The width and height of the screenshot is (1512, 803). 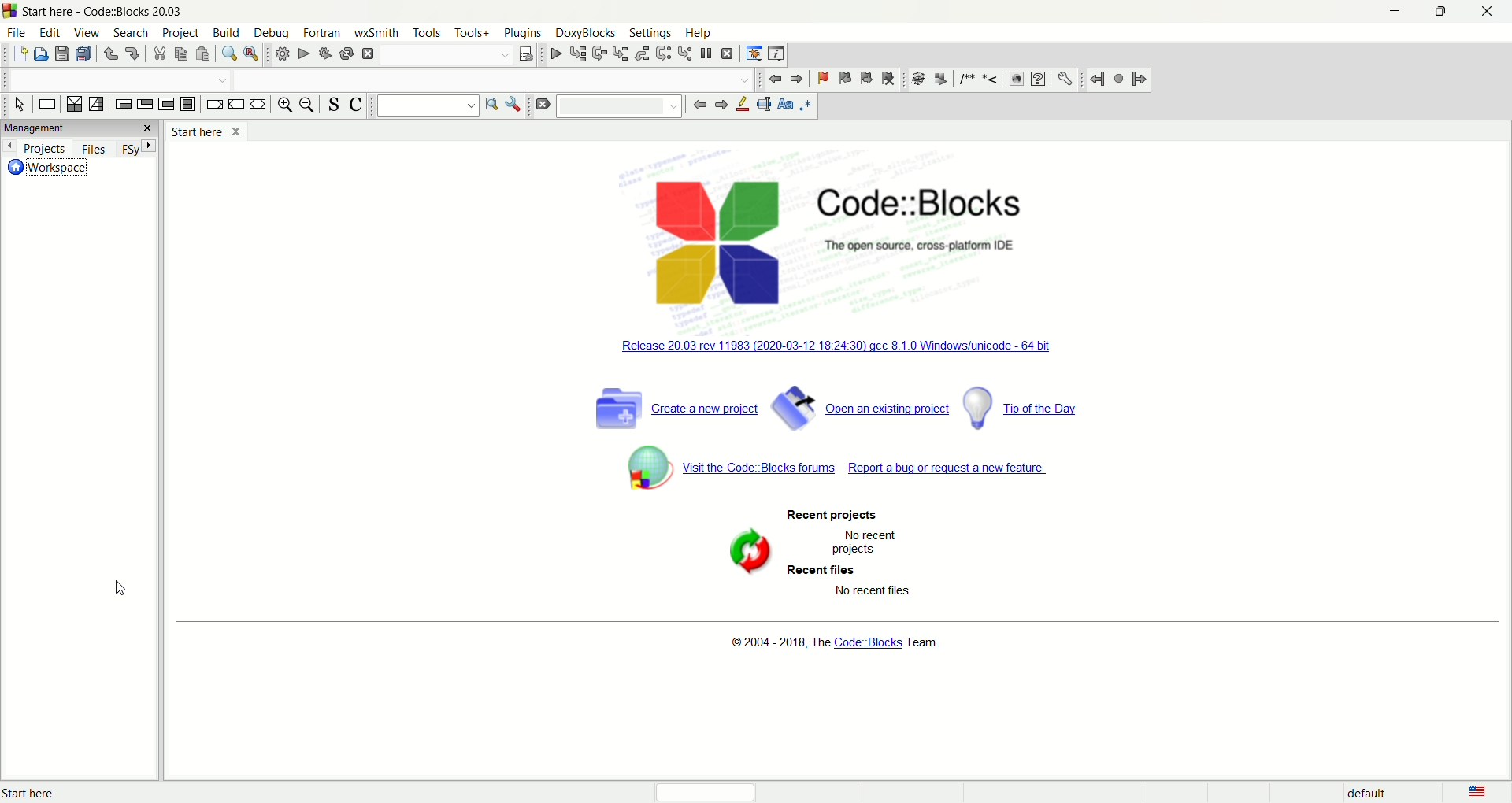 What do you see at coordinates (472, 32) in the screenshot?
I see `tools` at bounding box center [472, 32].